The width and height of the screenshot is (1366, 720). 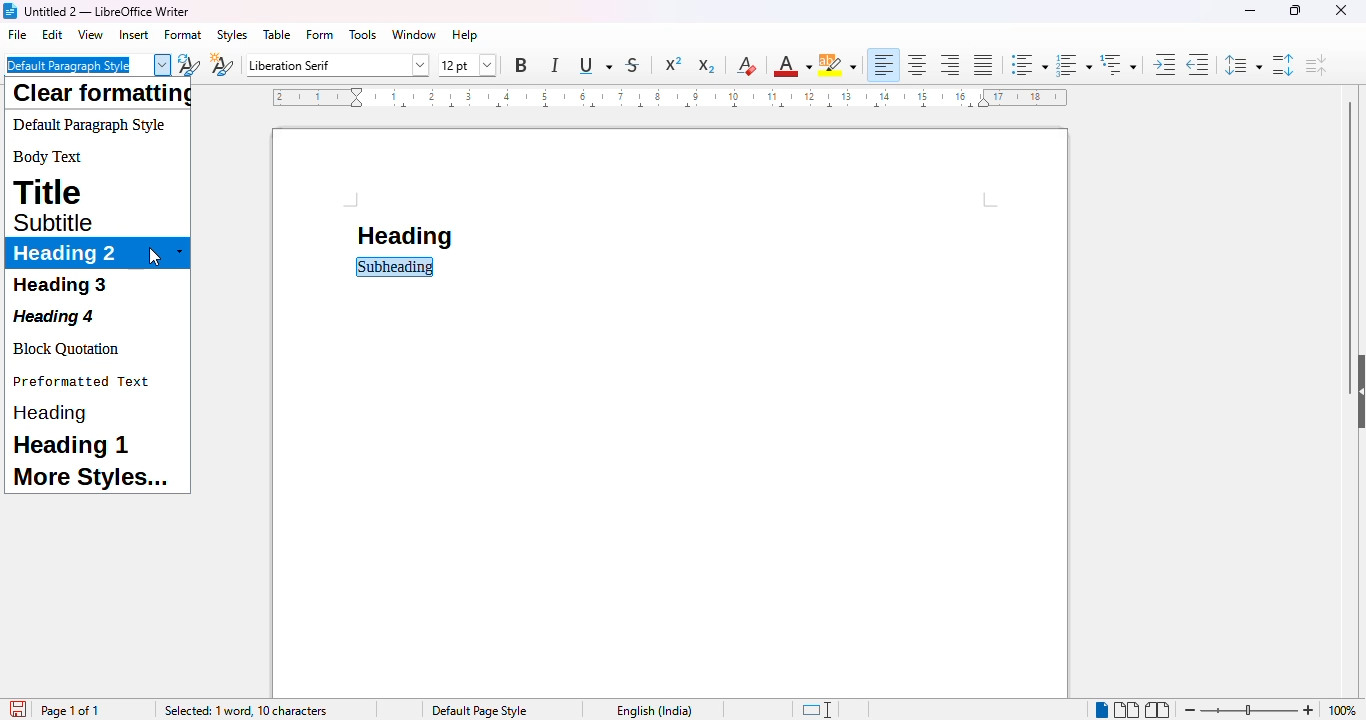 I want to click on standard selection, so click(x=817, y=710).